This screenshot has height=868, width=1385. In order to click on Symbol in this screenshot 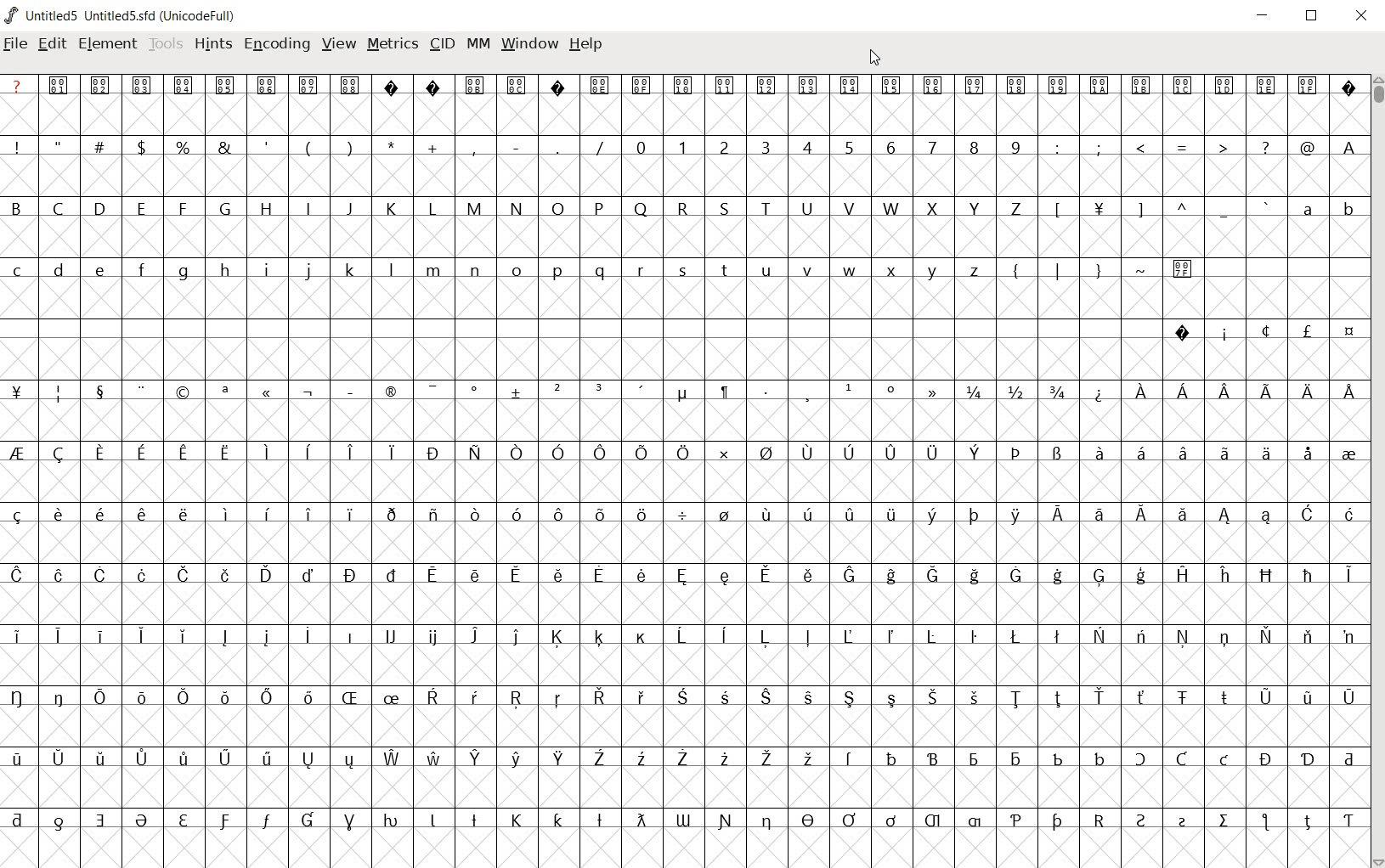, I will do `click(806, 453)`.